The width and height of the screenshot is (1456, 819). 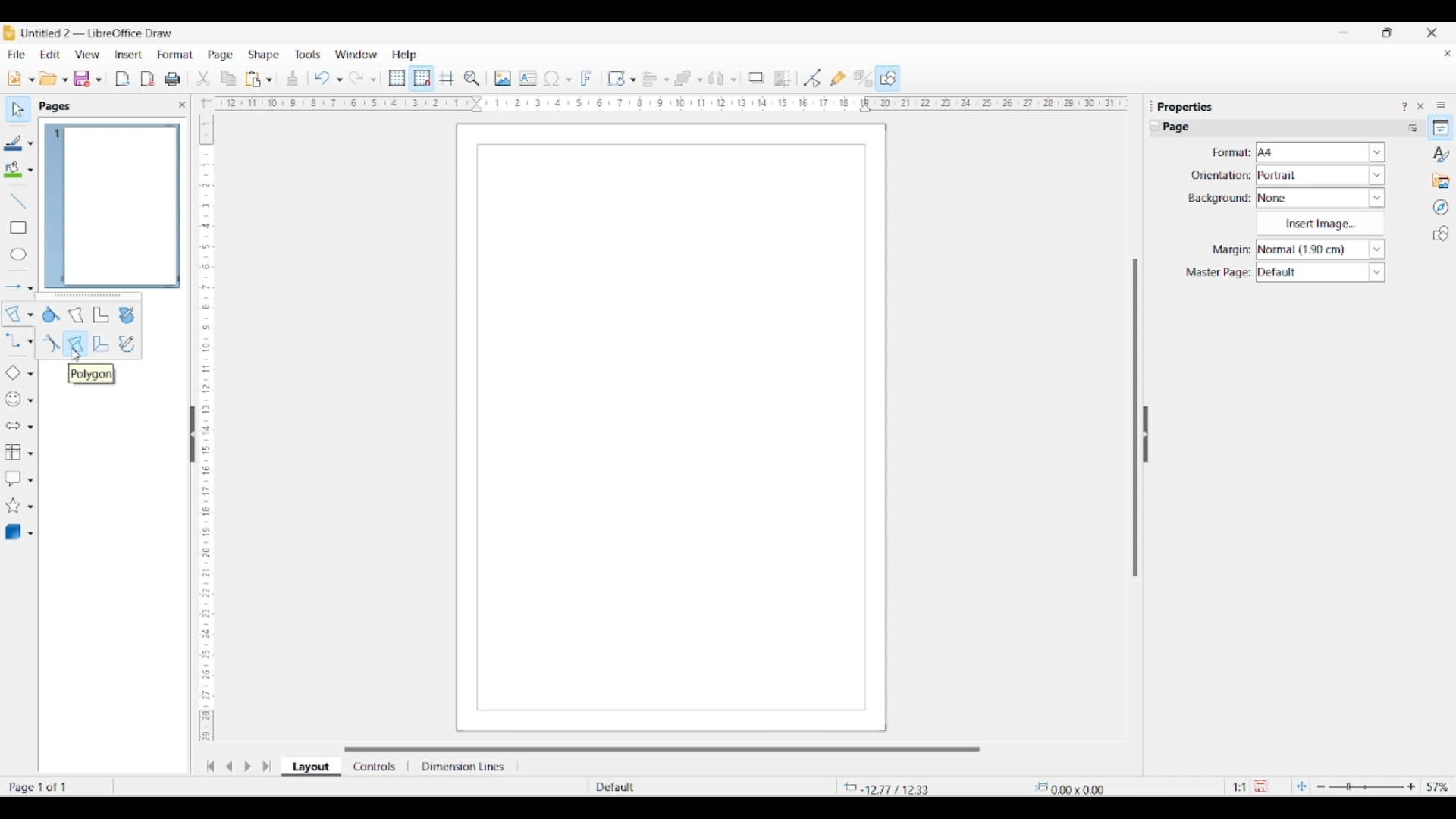 What do you see at coordinates (1301, 786) in the screenshot?
I see `Fit page to current window` at bounding box center [1301, 786].